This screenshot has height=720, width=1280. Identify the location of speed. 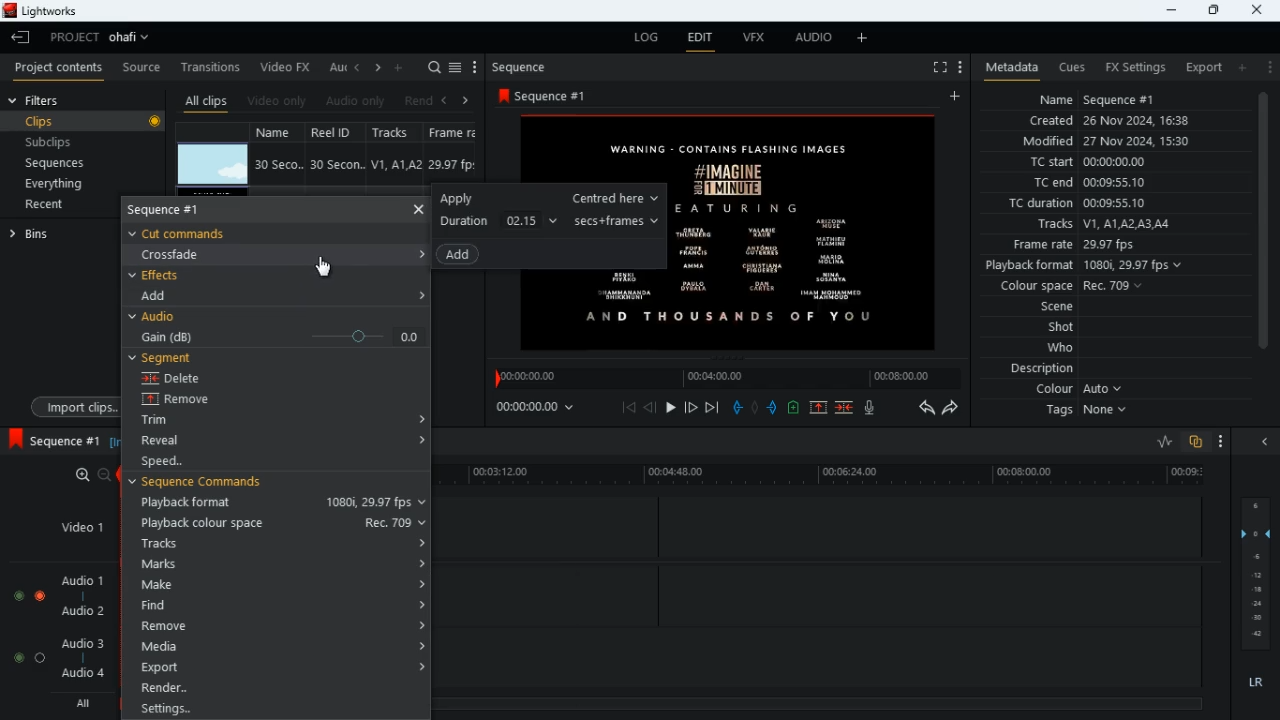
(184, 462).